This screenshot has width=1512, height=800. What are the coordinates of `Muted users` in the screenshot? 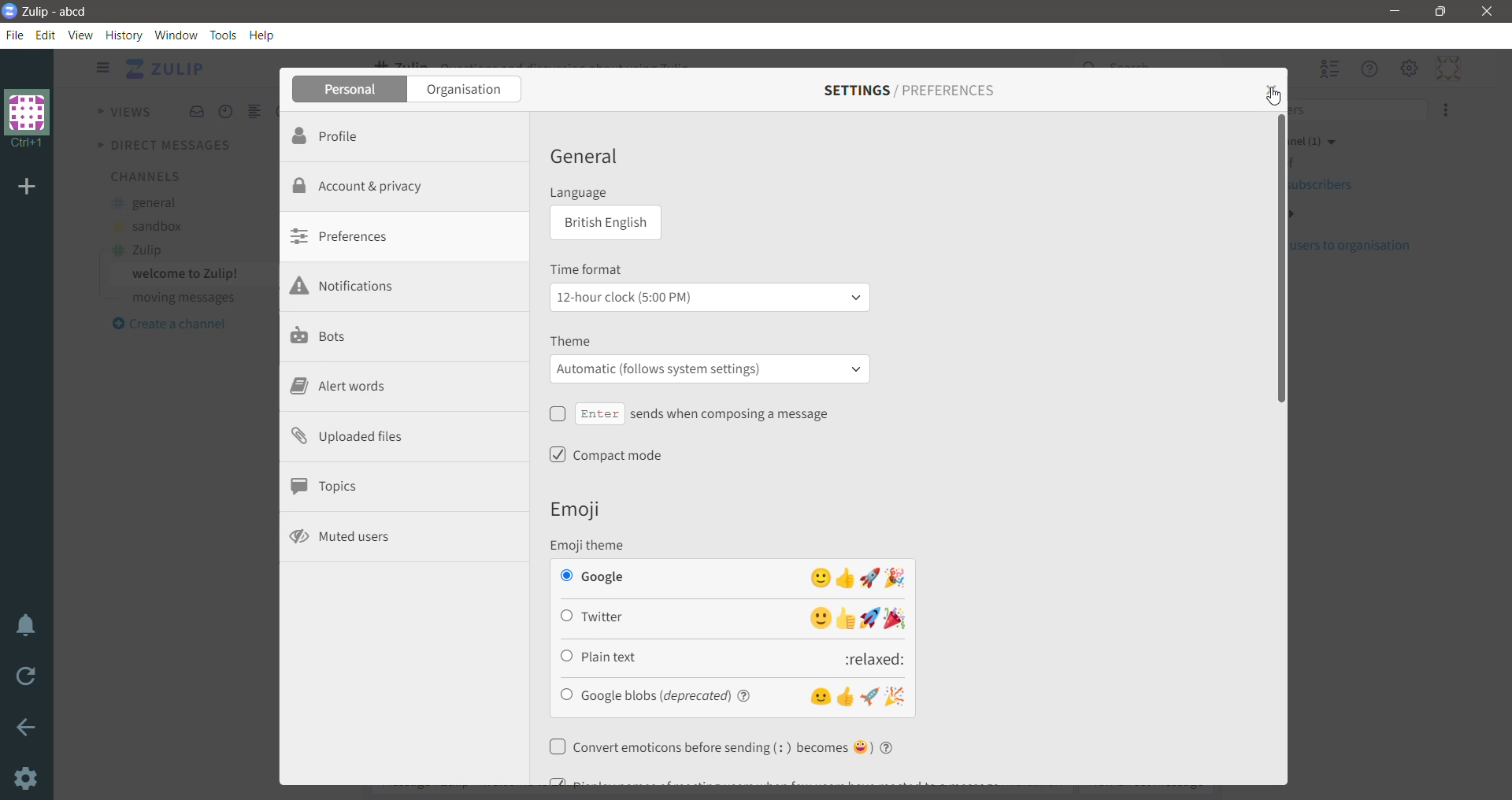 It's located at (346, 535).